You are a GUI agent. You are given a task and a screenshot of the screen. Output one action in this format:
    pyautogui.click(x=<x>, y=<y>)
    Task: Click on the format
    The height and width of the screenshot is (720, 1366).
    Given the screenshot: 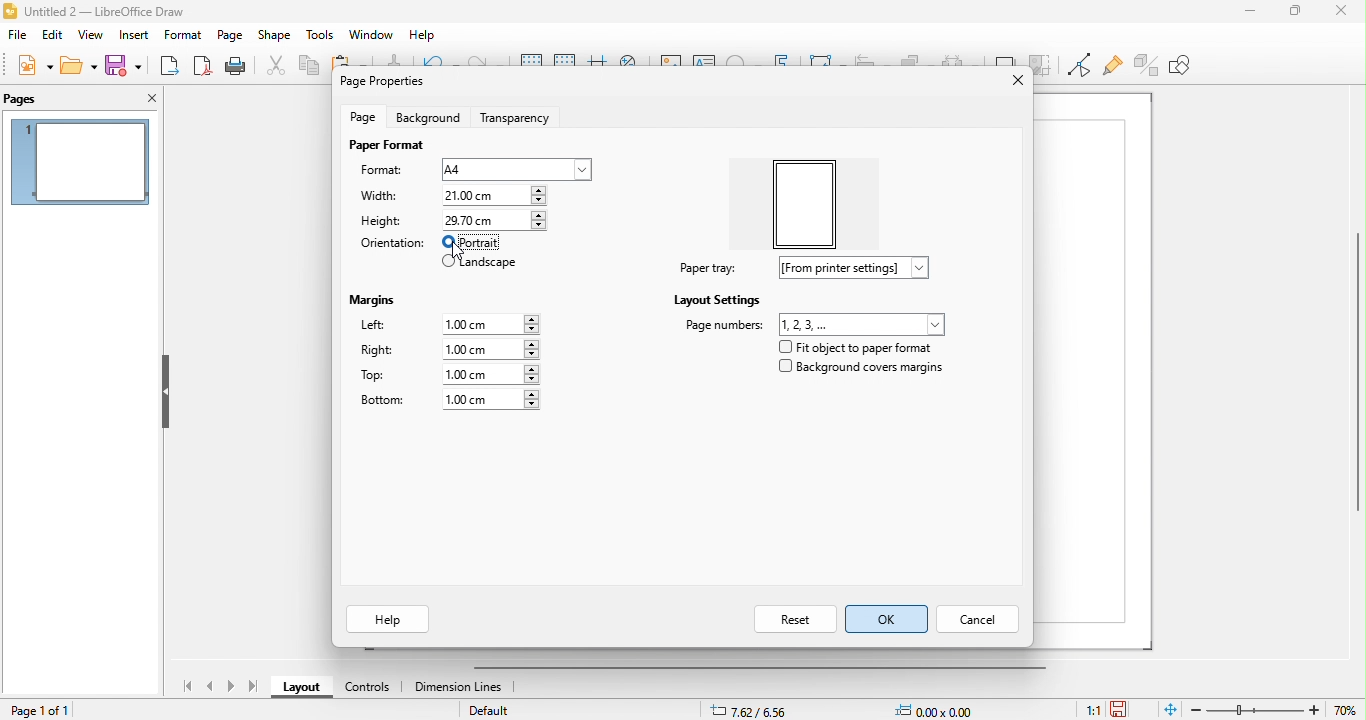 What is the action you would take?
    pyautogui.click(x=383, y=170)
    